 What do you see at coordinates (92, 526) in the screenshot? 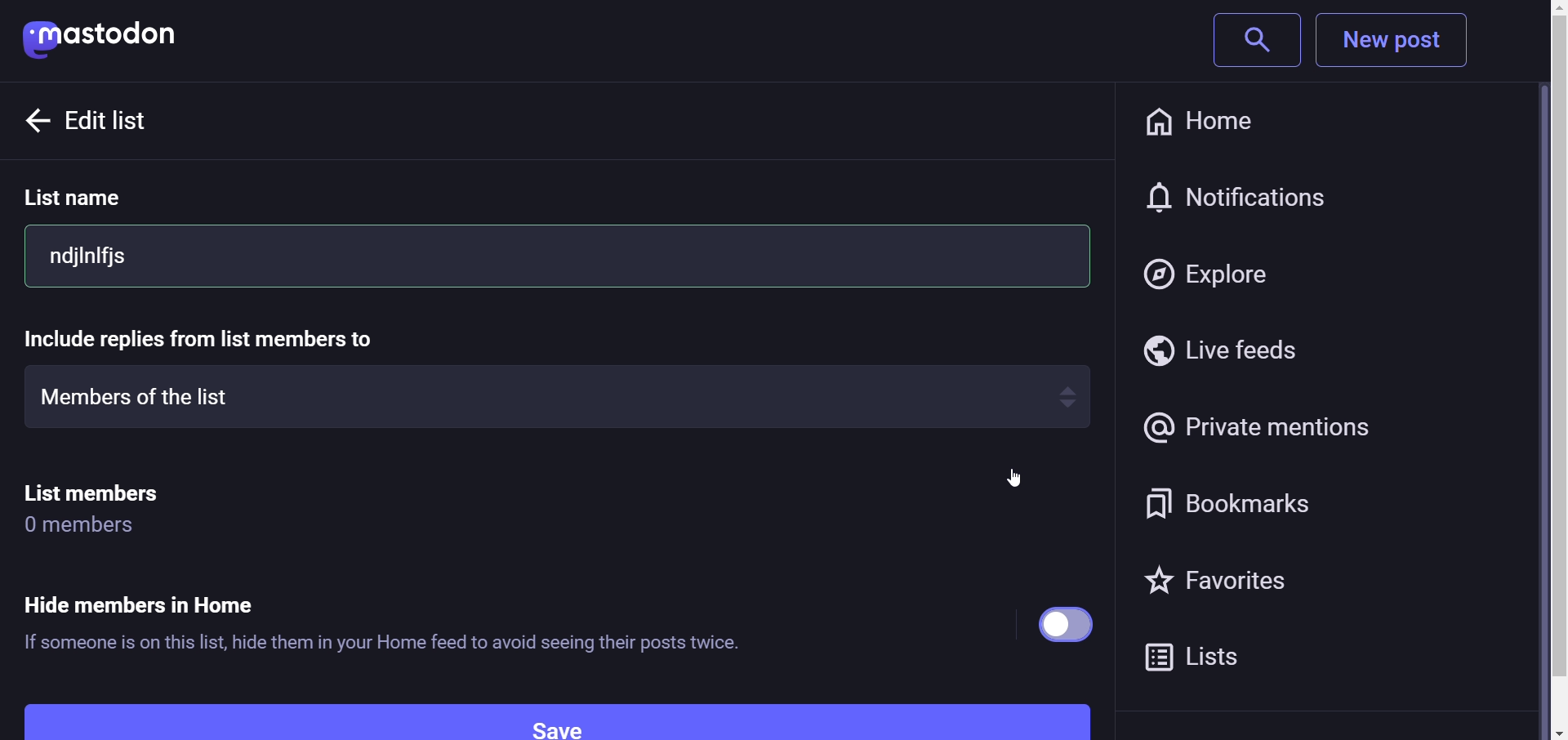
I see `0 members` at bounding box center [92, 526].